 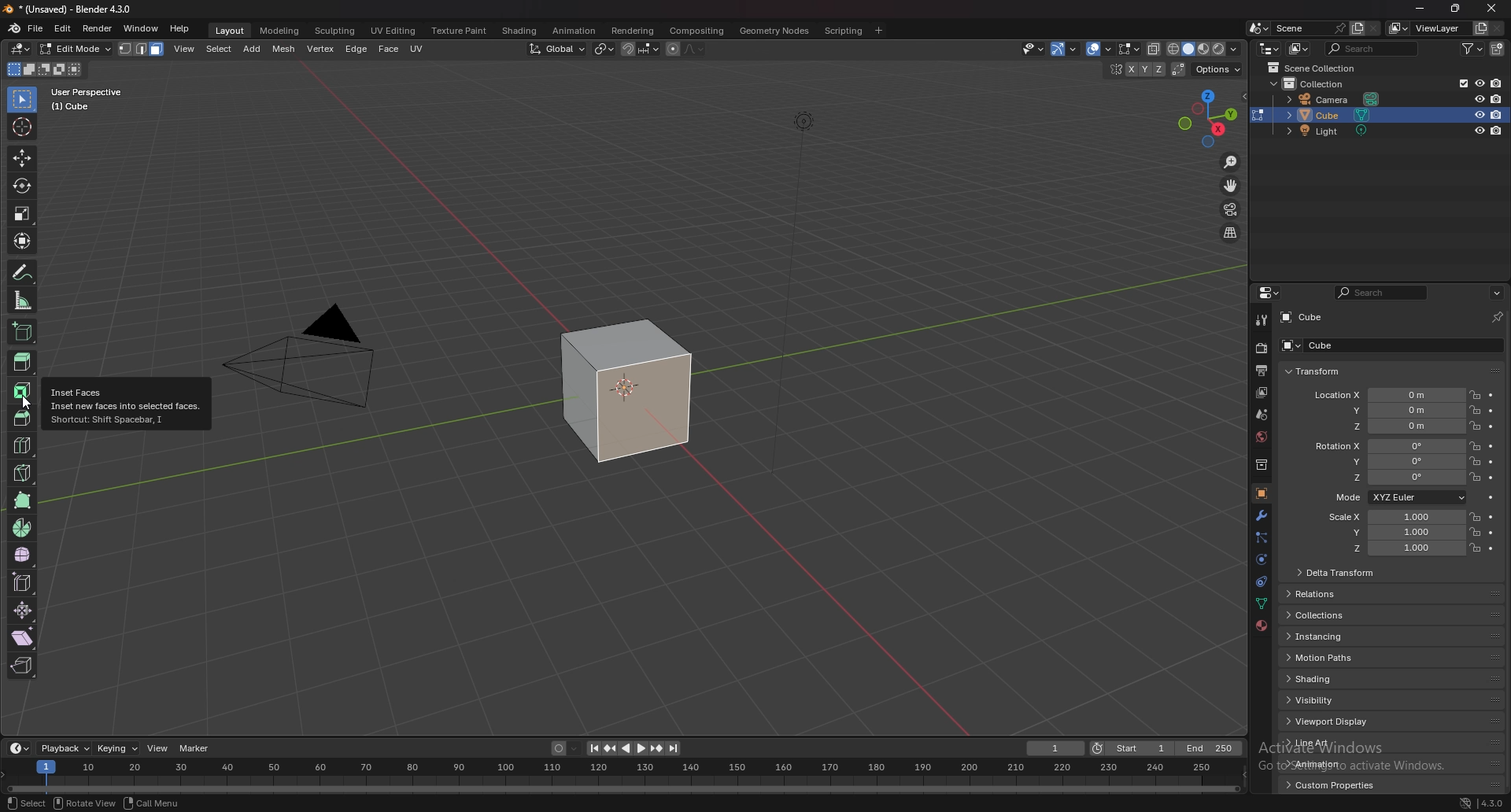 What do you see at coordinates (1491, 463) in the screenshot?
I see `animate property` at bounding box center [1491, 463].